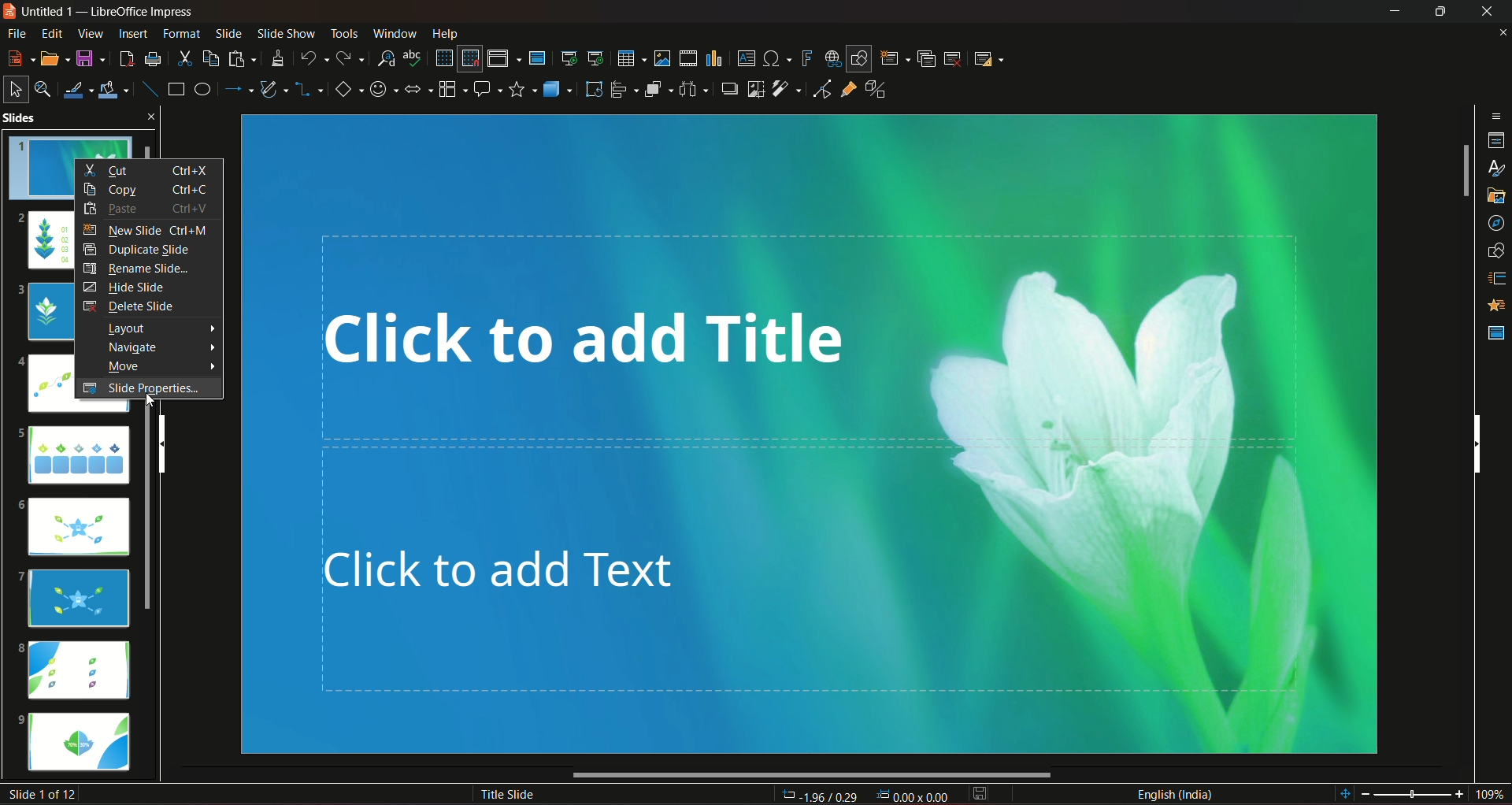 The width and height of the screenshot is (1512, 805). Describe the element at coordinates (1493, 168) in the screenshot. I see `styles` at that location.